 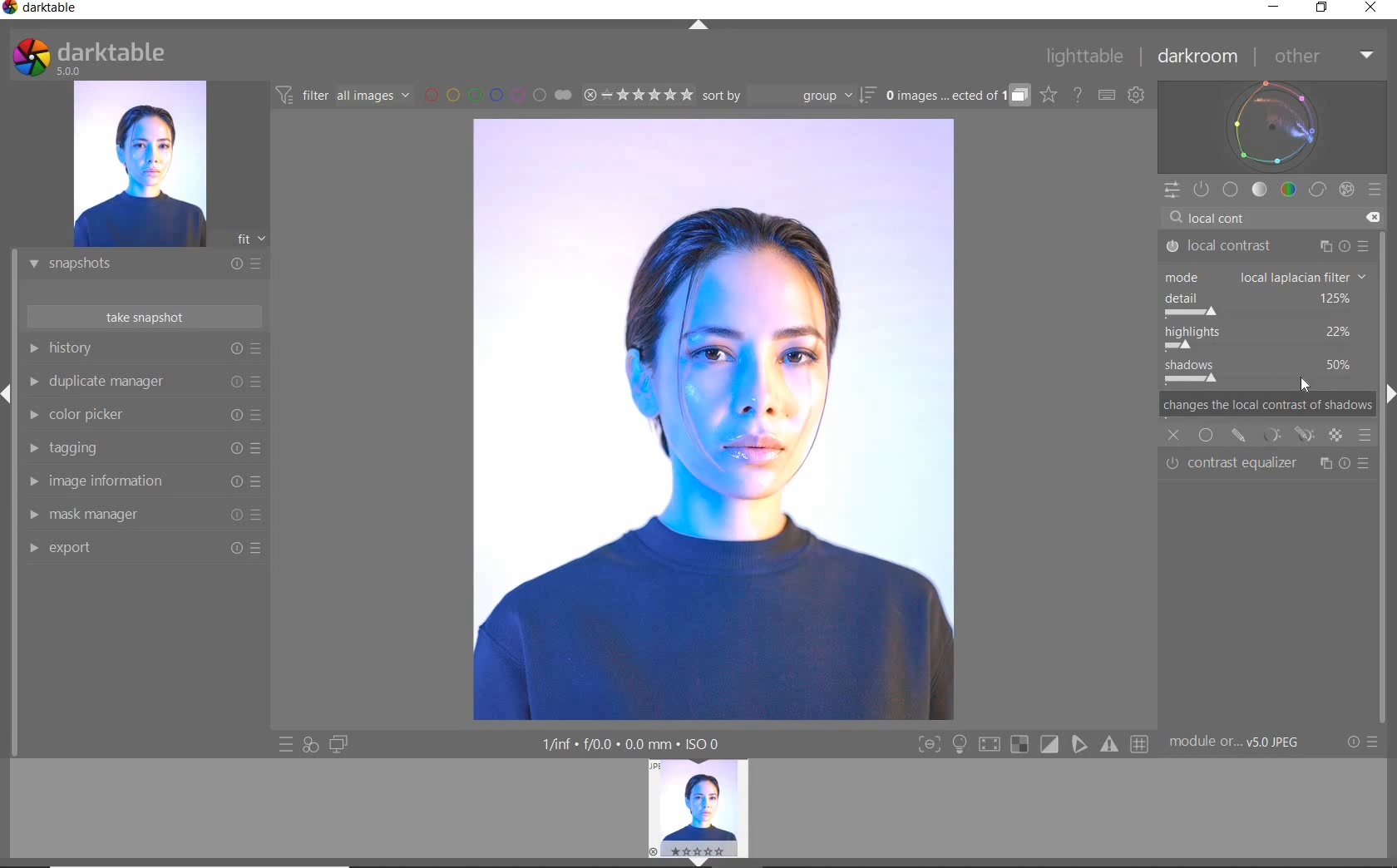 What do you see at coordinates (957, 96) in the screenshot?
I see `EXPAND GROUPED IMAGES` at bounding box center [957, 96].